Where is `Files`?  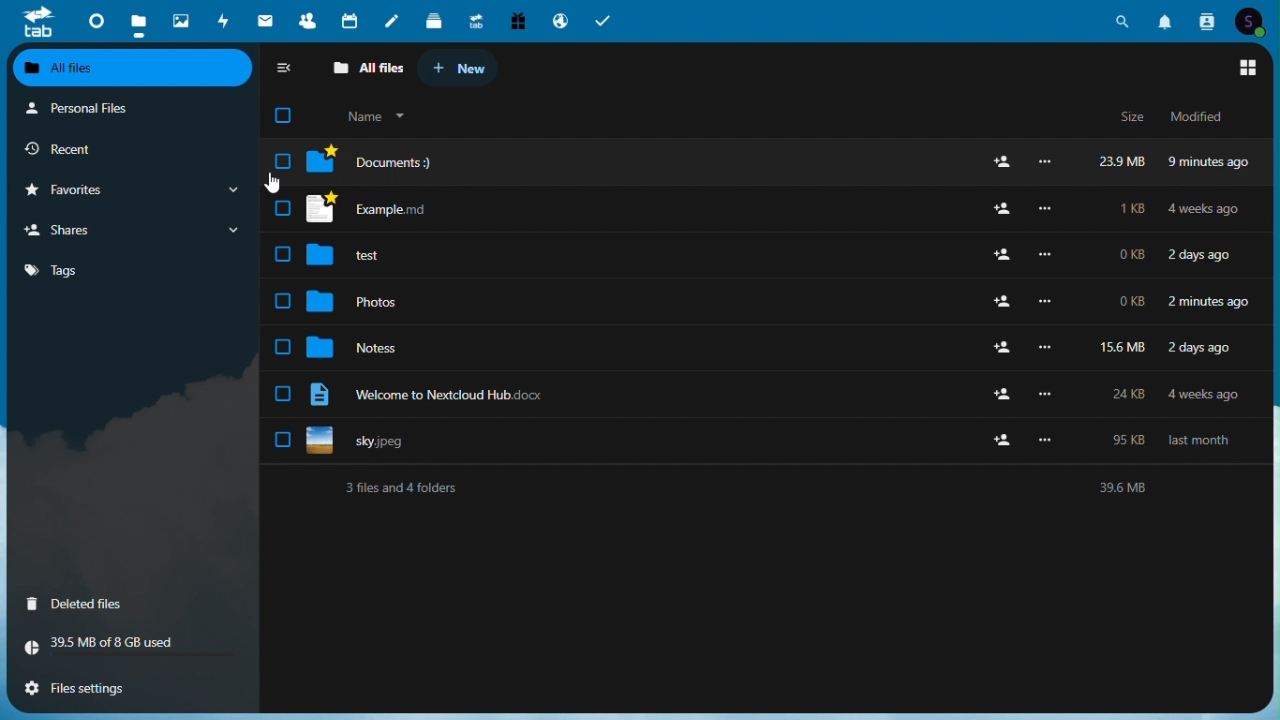 Files is located at coordinates (782, 391).